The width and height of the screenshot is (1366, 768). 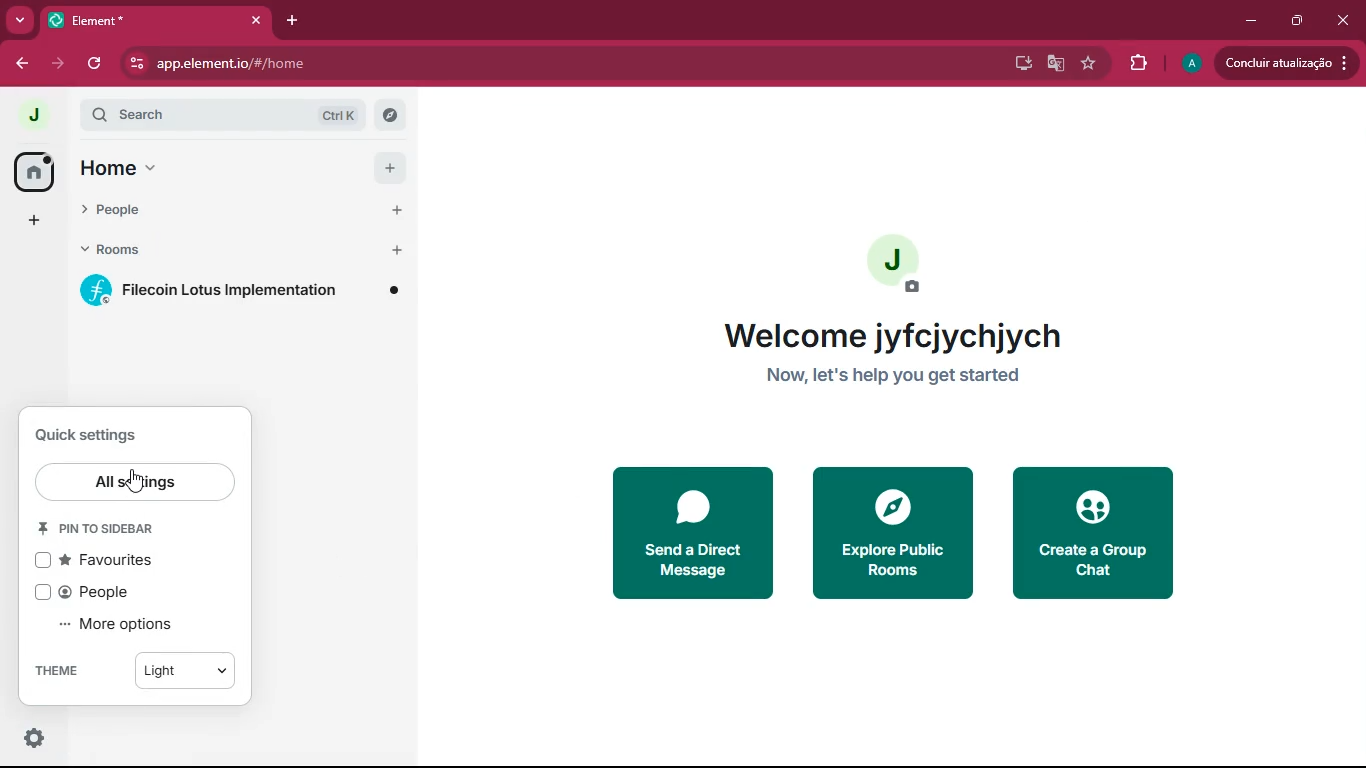 What do you see at coordinates (32, 172) in the screenshot?
I see `home` at bounding box center [32, 172].